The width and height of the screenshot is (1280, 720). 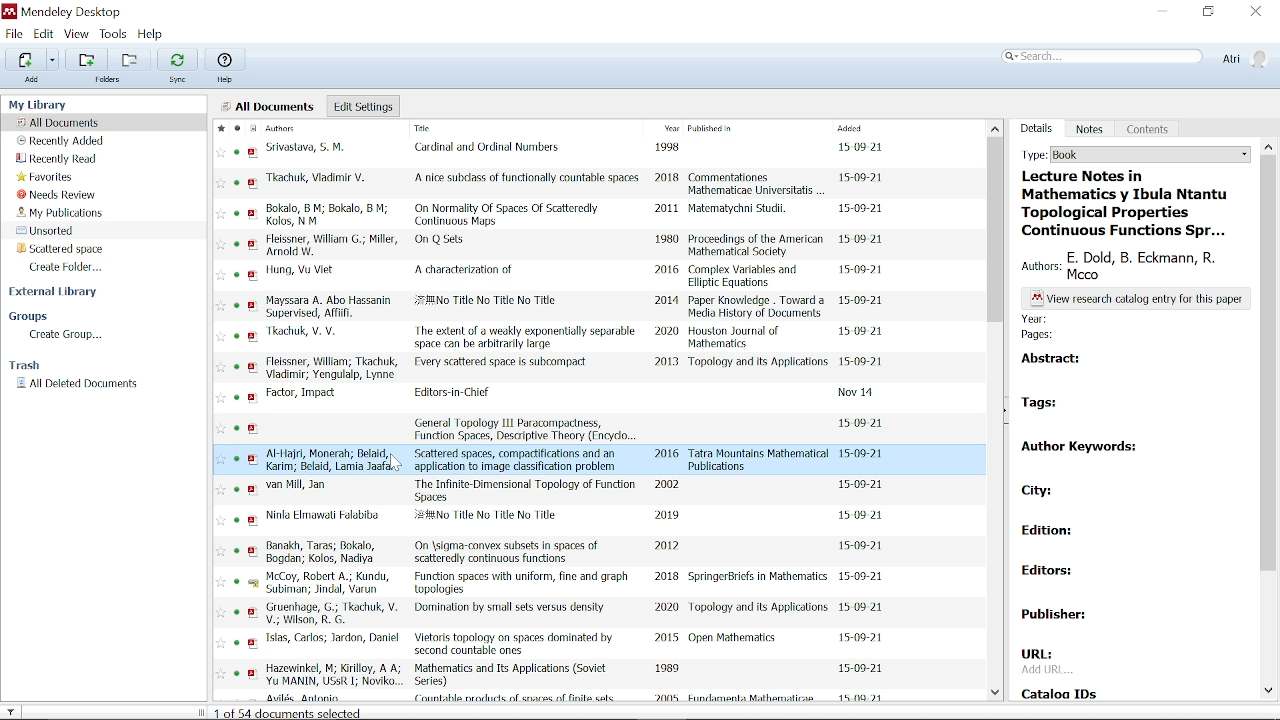 I want to click on Move down in document details, so click(x=1269, y=691).